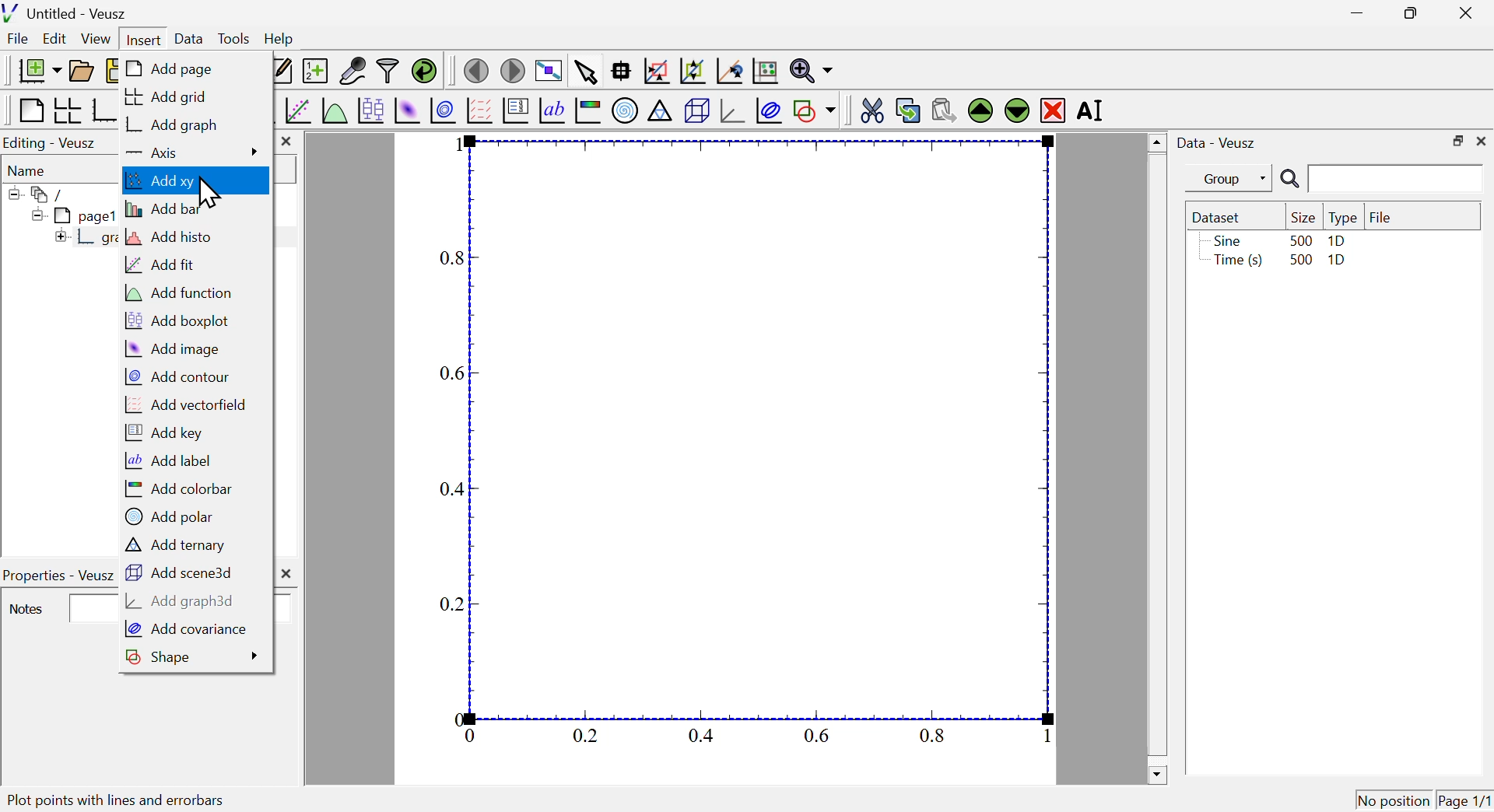 This screenshot has width=1494, height=812. Describe the element at coordinates (315, 69) in the screenshot. I see `create new data sets using ranges` at that location.